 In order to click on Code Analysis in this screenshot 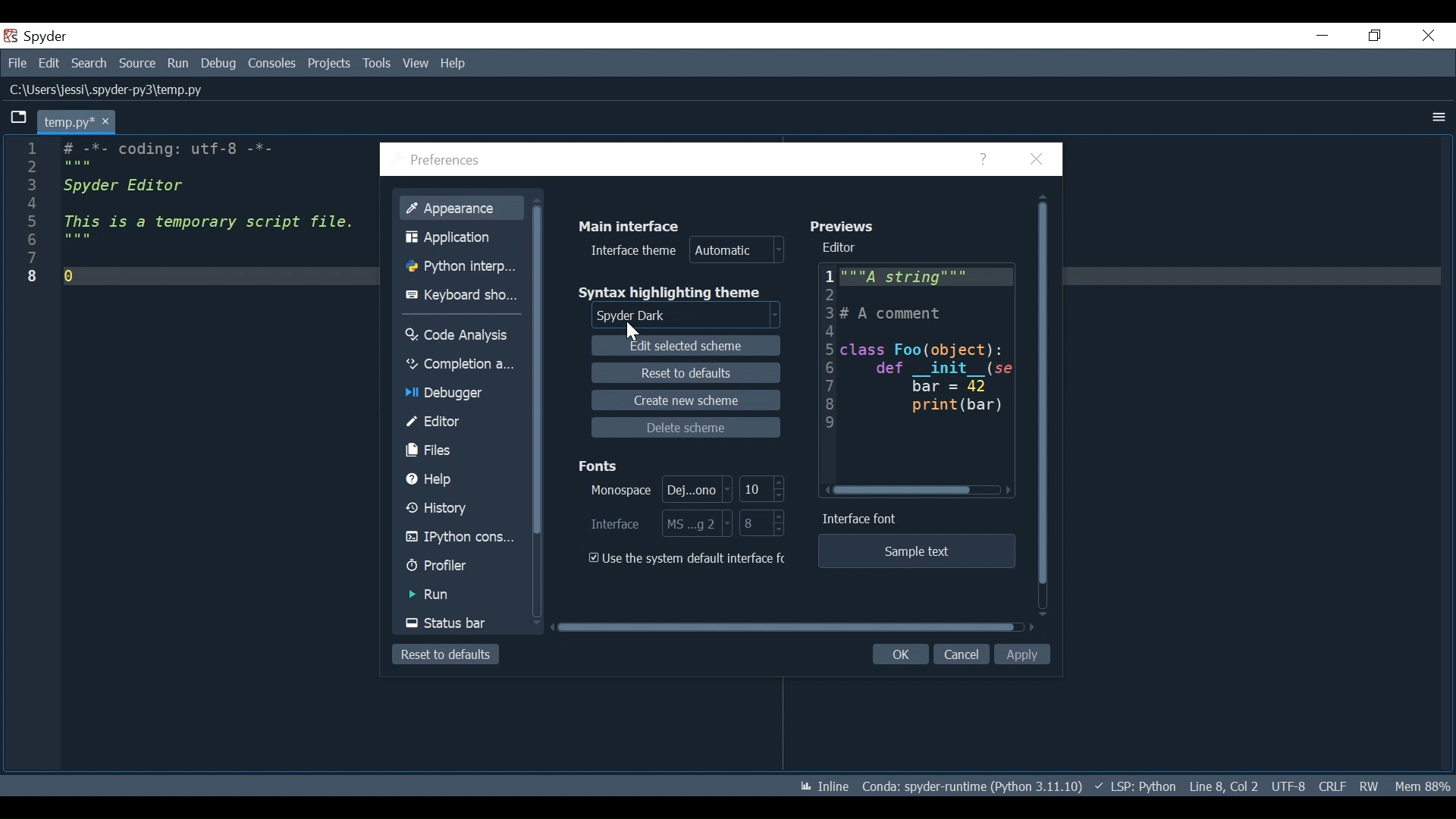, I will do `click(462, 335)`.